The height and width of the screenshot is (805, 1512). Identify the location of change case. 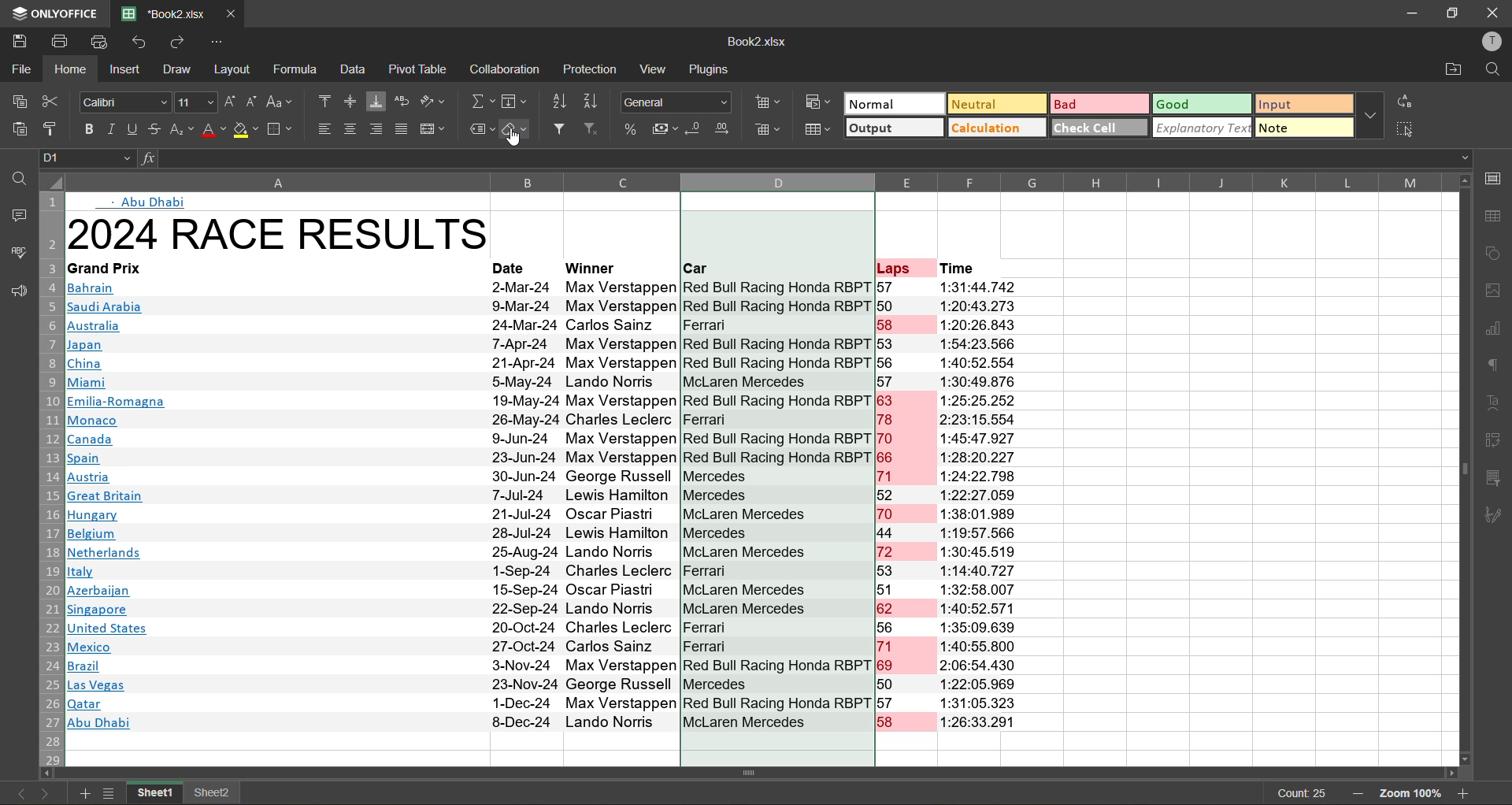
(282, 102).